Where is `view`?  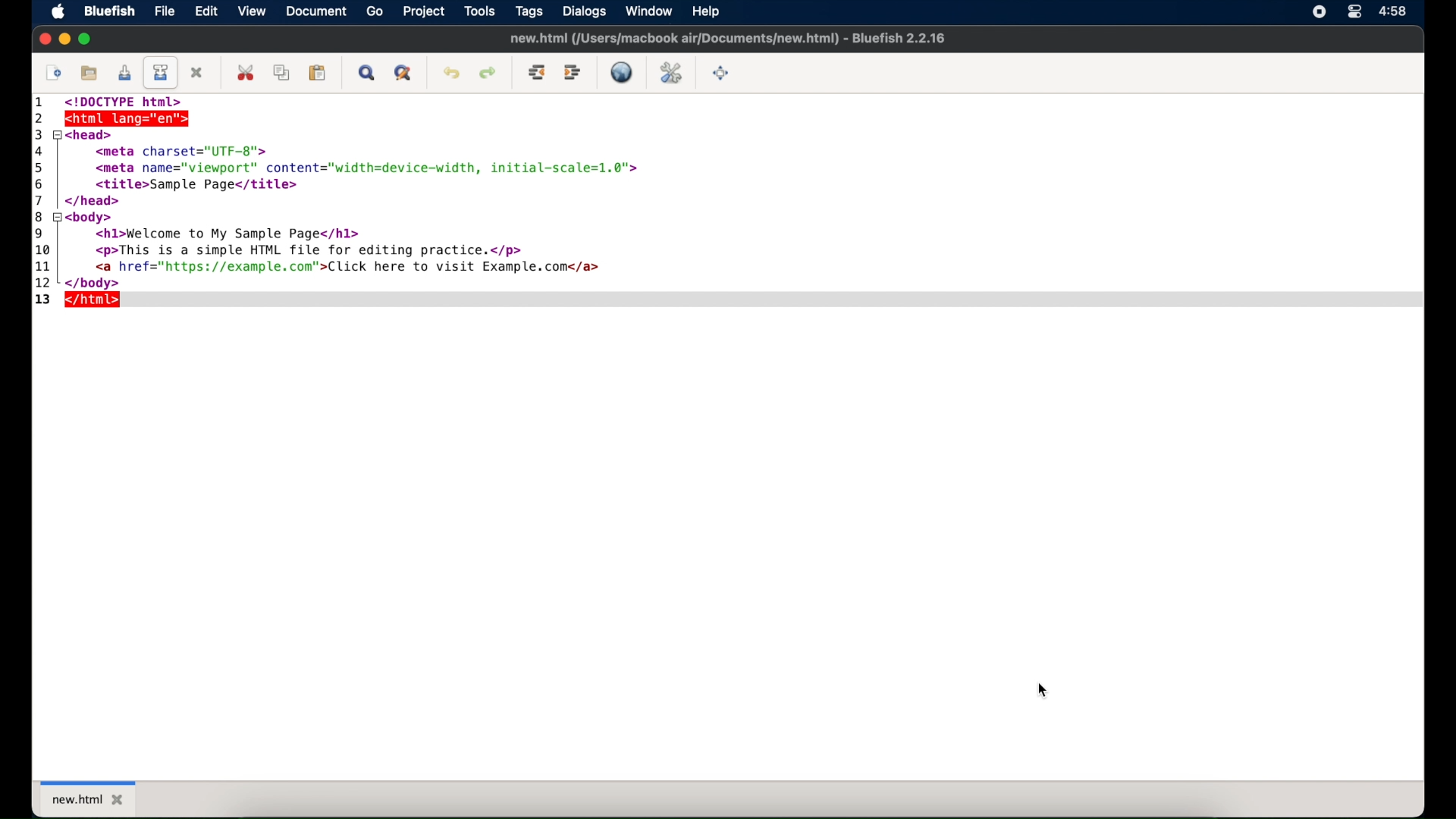 view is located at coordinates (253, 12).